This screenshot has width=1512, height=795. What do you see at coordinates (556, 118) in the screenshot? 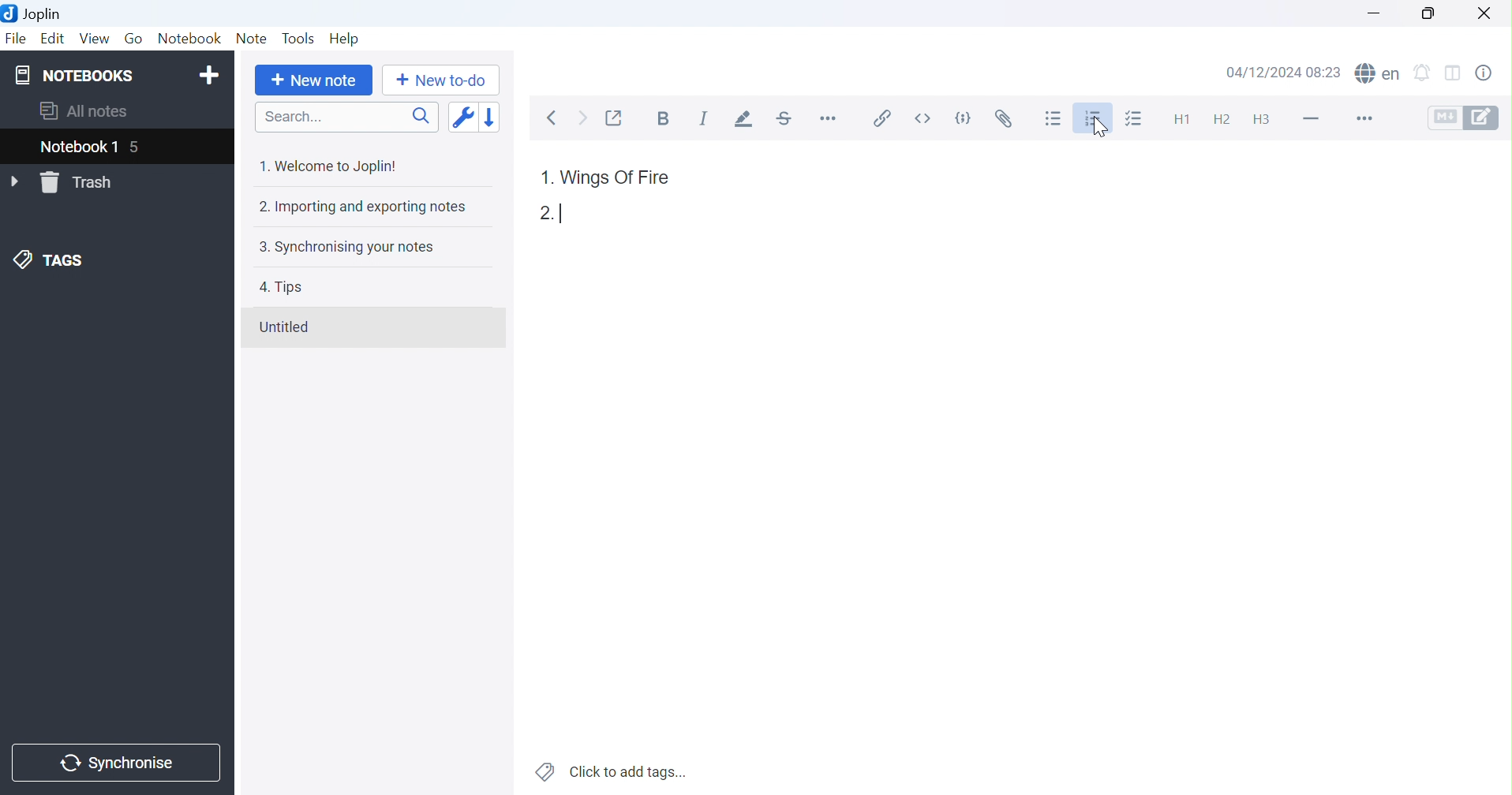
I see `Back` at bounding box center [556, 118].